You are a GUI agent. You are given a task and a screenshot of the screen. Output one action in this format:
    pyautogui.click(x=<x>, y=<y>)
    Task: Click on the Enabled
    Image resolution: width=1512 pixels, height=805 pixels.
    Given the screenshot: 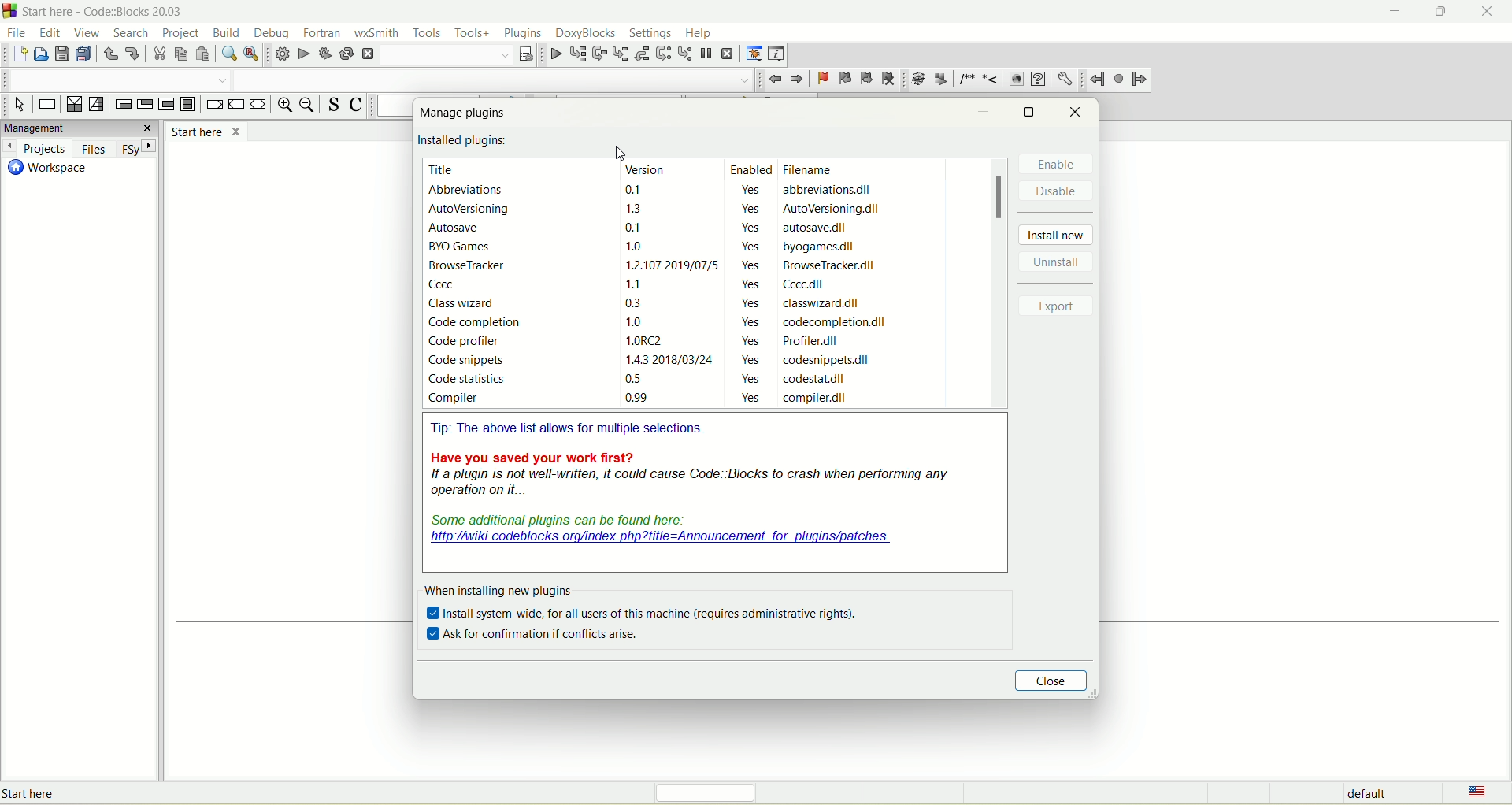 What is the action you would take?
    pyautogui.click(x=748, y=169)
    